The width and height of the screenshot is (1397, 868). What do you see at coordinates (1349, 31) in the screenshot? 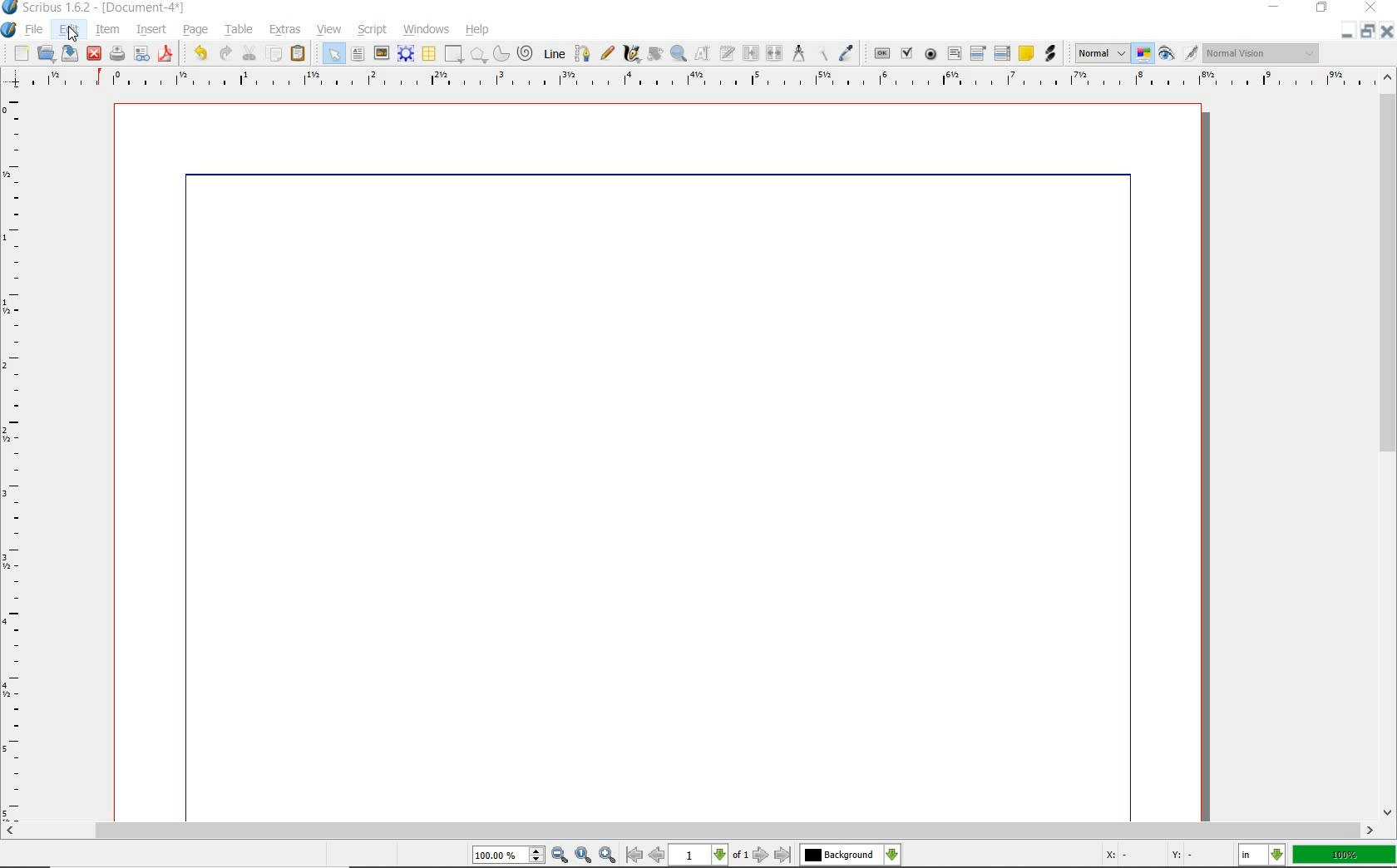
I see `minimize` at bounding box center [1349, 31].